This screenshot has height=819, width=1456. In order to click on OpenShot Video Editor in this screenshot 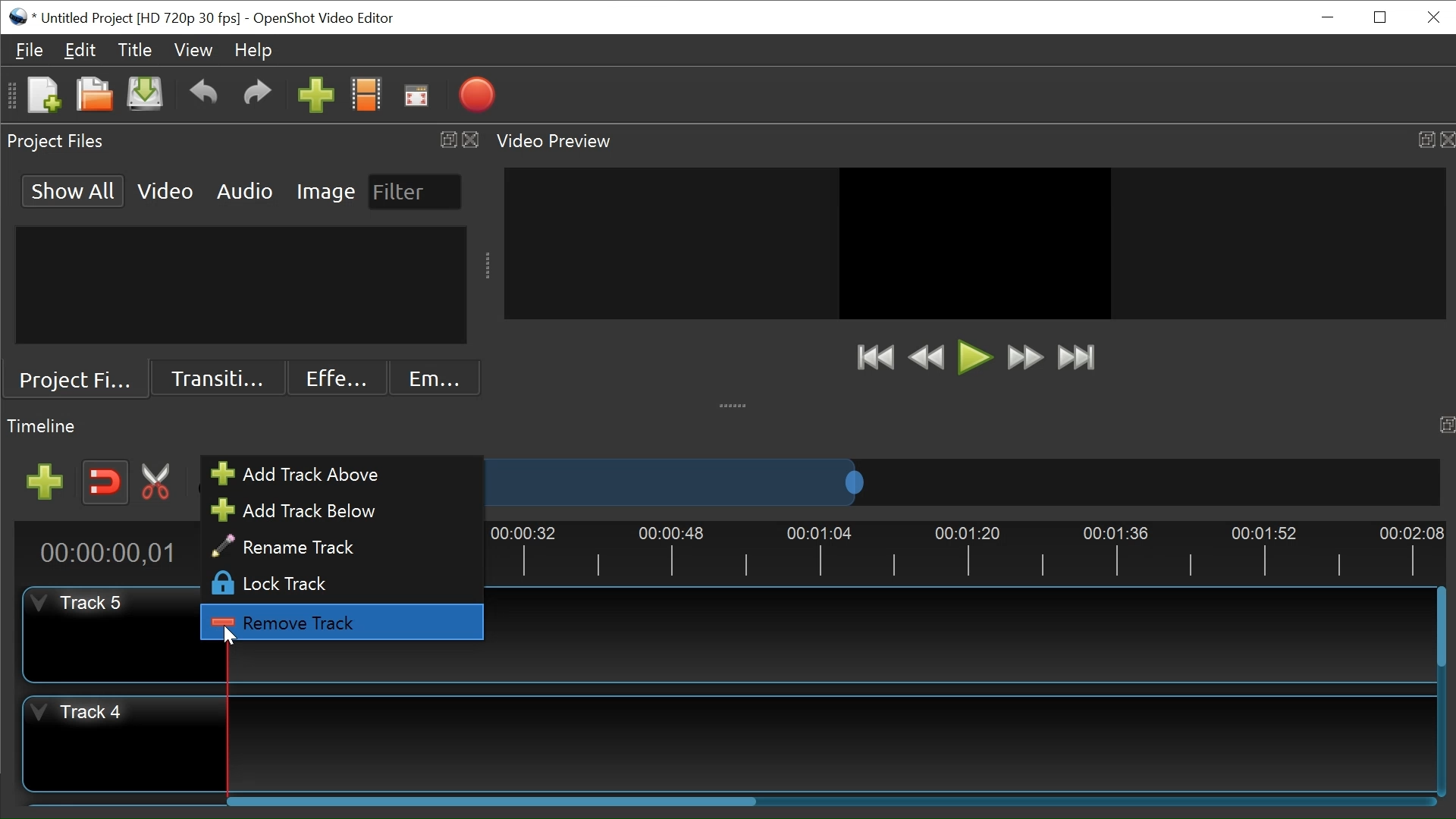, I will do `click(327, 20)`.